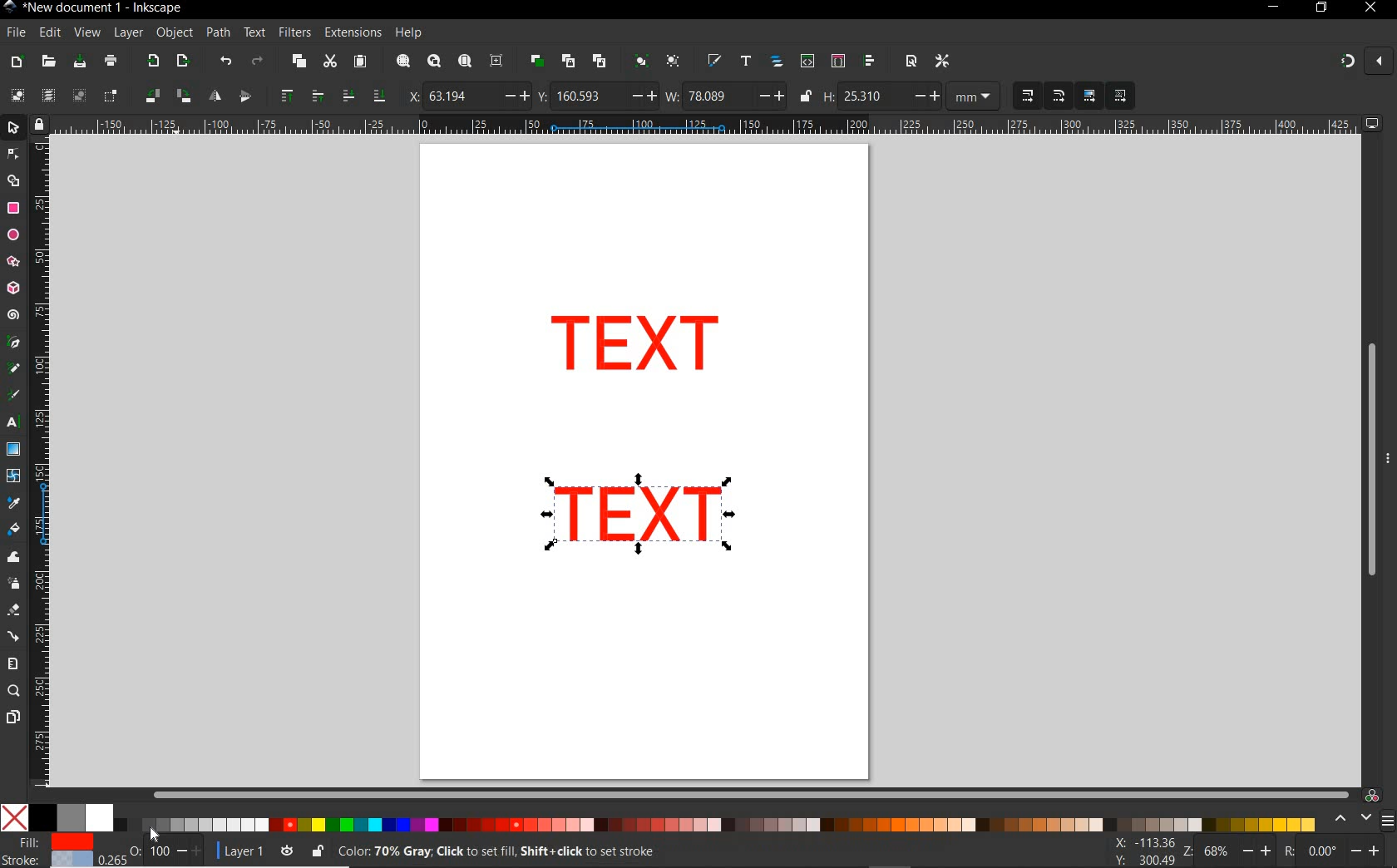 The height and width of the screenshot is (868, 1397). What do you see at coordinates (466, 95) in the screenshot?
I see `horizontal coordinate of selection` at bounding box center [466, 95].